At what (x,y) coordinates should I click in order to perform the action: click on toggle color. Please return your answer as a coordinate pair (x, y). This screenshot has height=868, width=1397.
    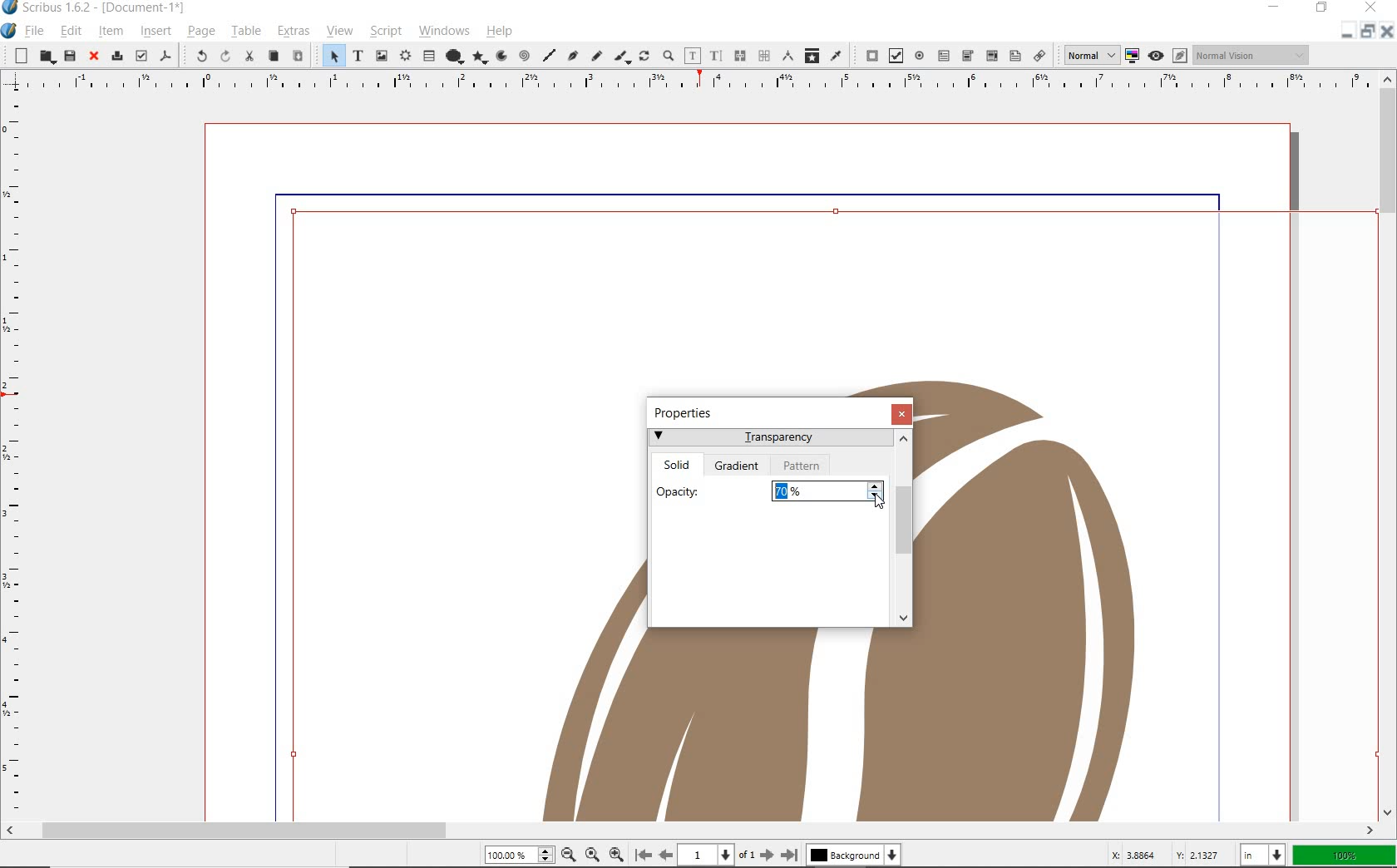
    Looking at the image, I should click on (1133, 55).